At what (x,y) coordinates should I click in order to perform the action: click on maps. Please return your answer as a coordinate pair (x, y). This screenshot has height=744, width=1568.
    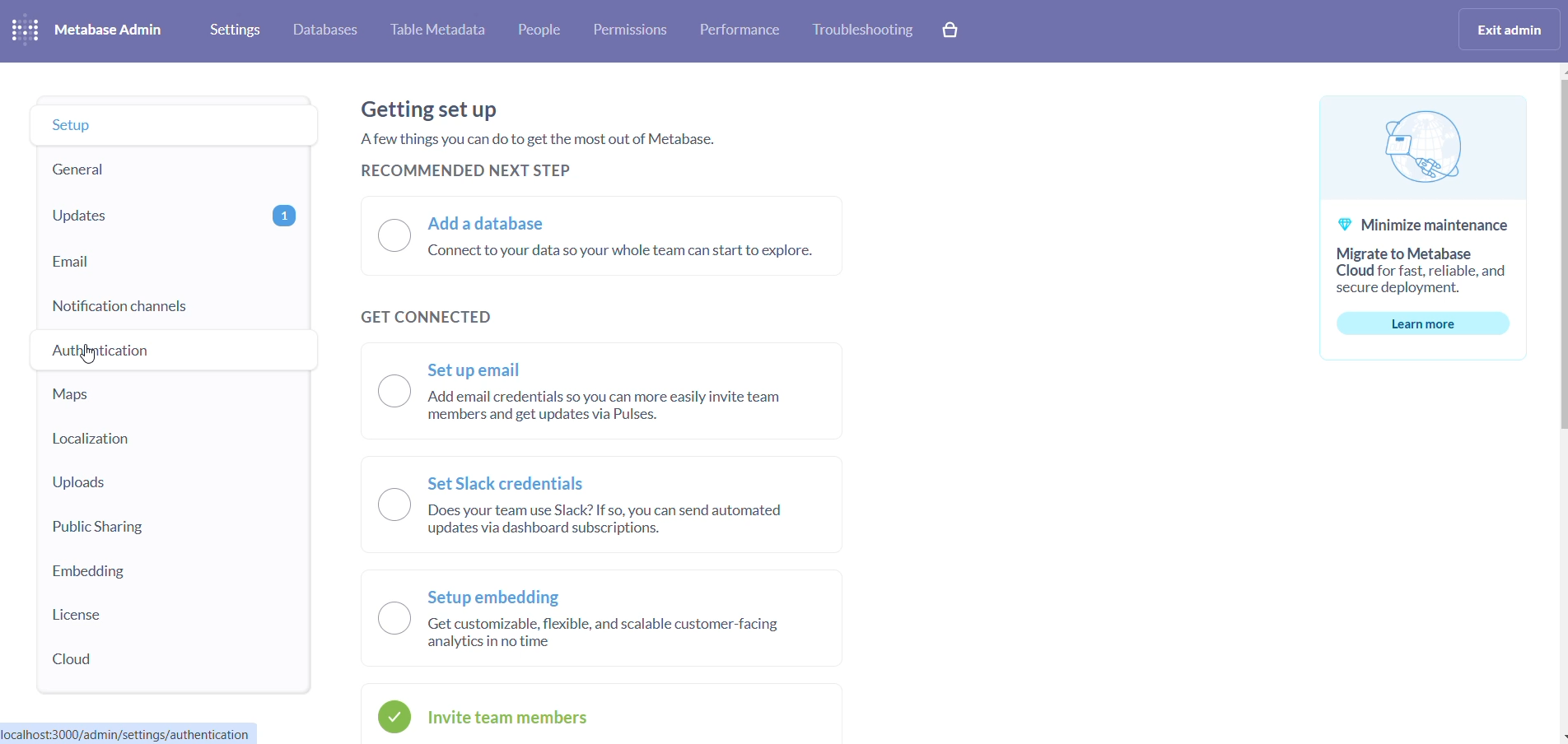
    Looking at the image, I should click on (133, 399).